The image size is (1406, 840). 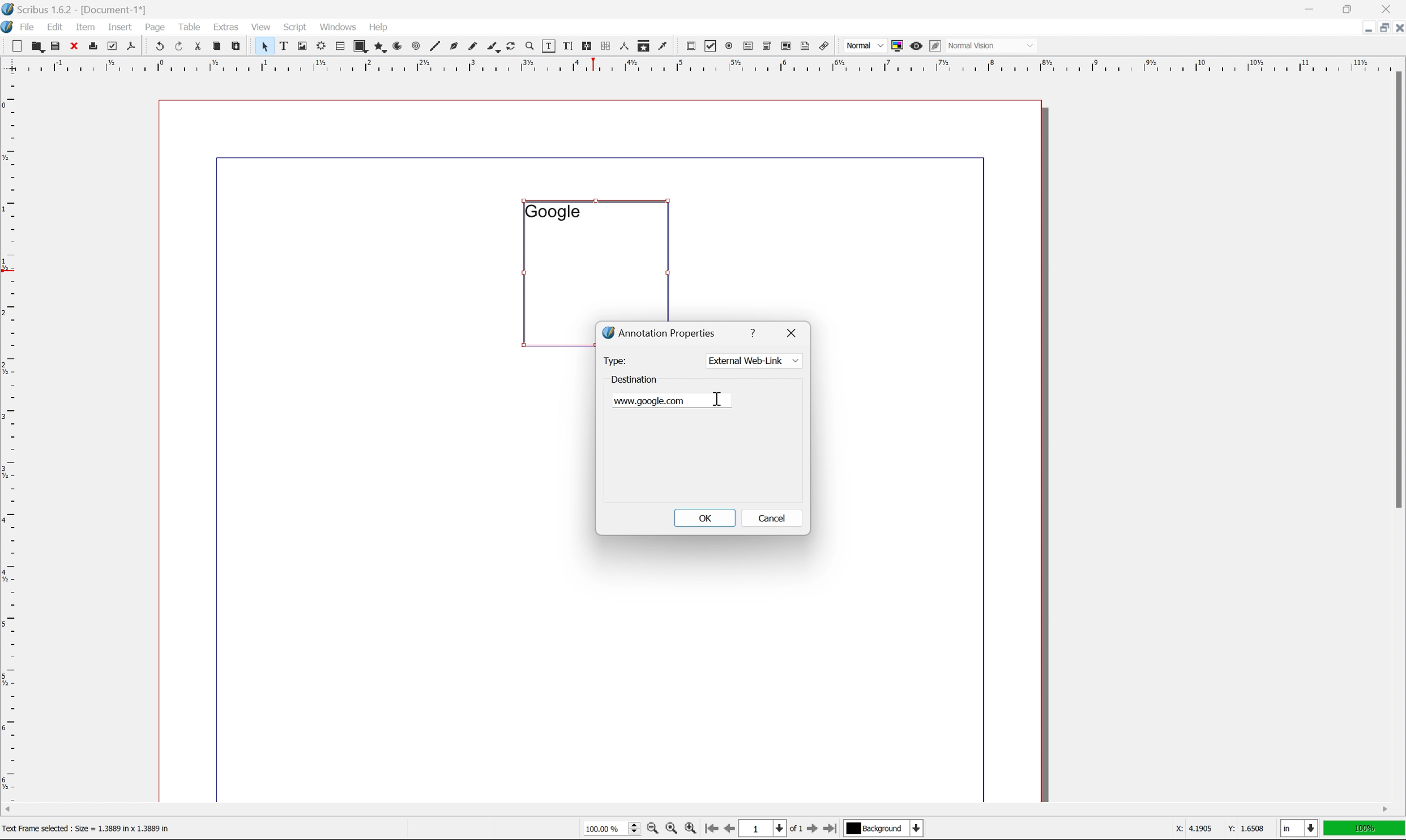 I want to click on render frame, so click(x=320, y=45).